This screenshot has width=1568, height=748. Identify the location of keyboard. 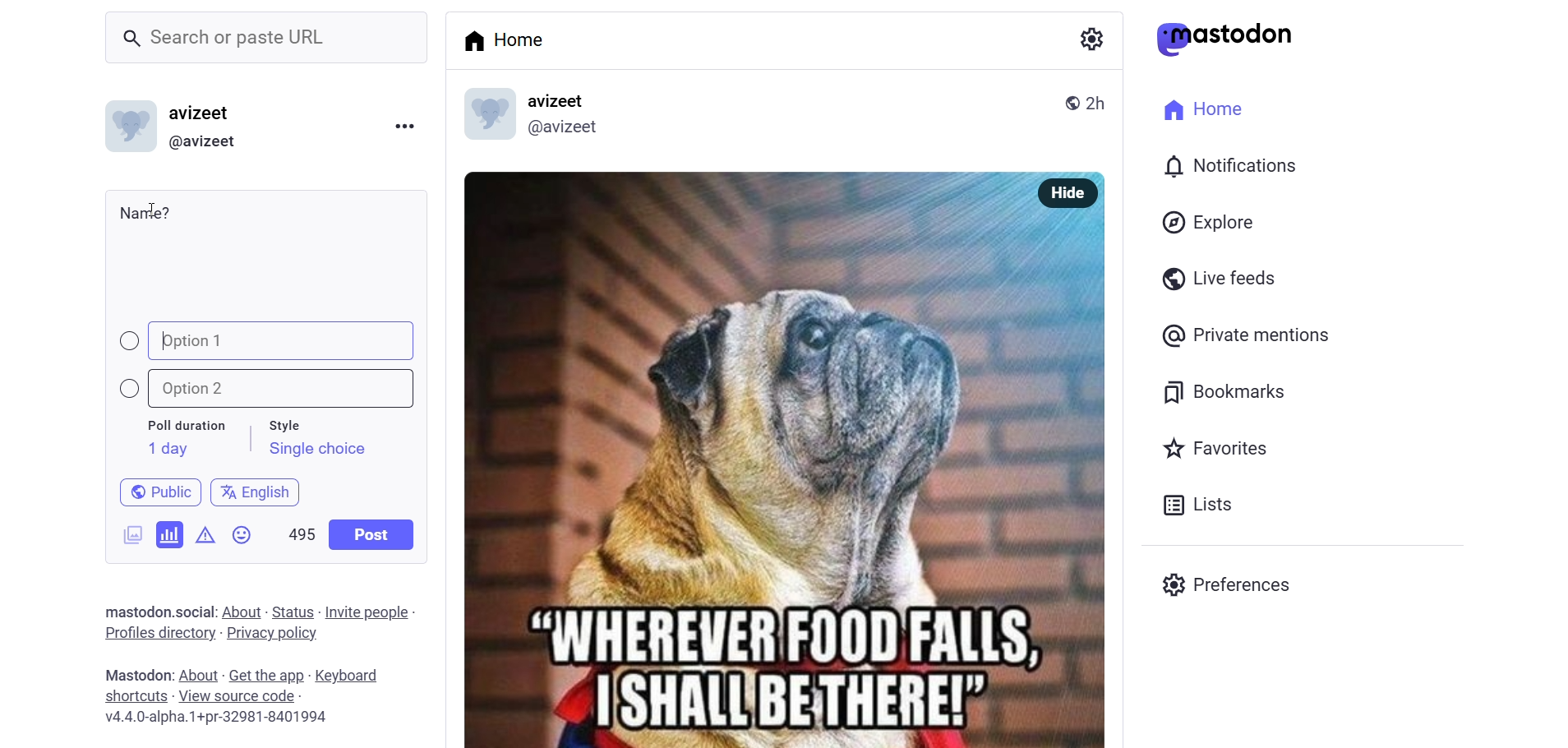
(354, 676).